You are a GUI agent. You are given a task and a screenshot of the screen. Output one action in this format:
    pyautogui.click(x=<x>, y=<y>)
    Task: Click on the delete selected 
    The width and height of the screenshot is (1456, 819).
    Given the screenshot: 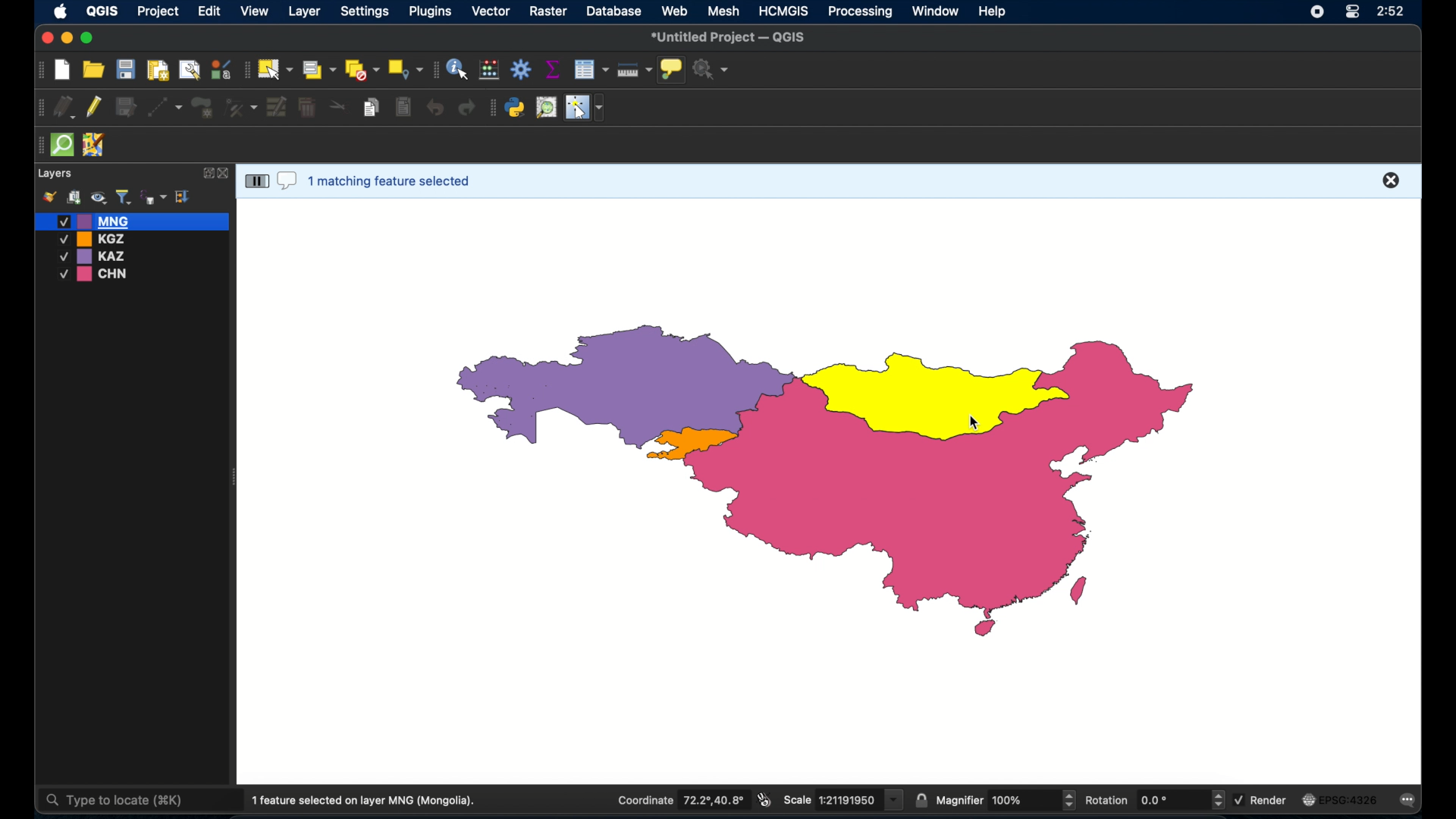 What is the action you would take?
    pyautogui.click(x=309, y=108)
    